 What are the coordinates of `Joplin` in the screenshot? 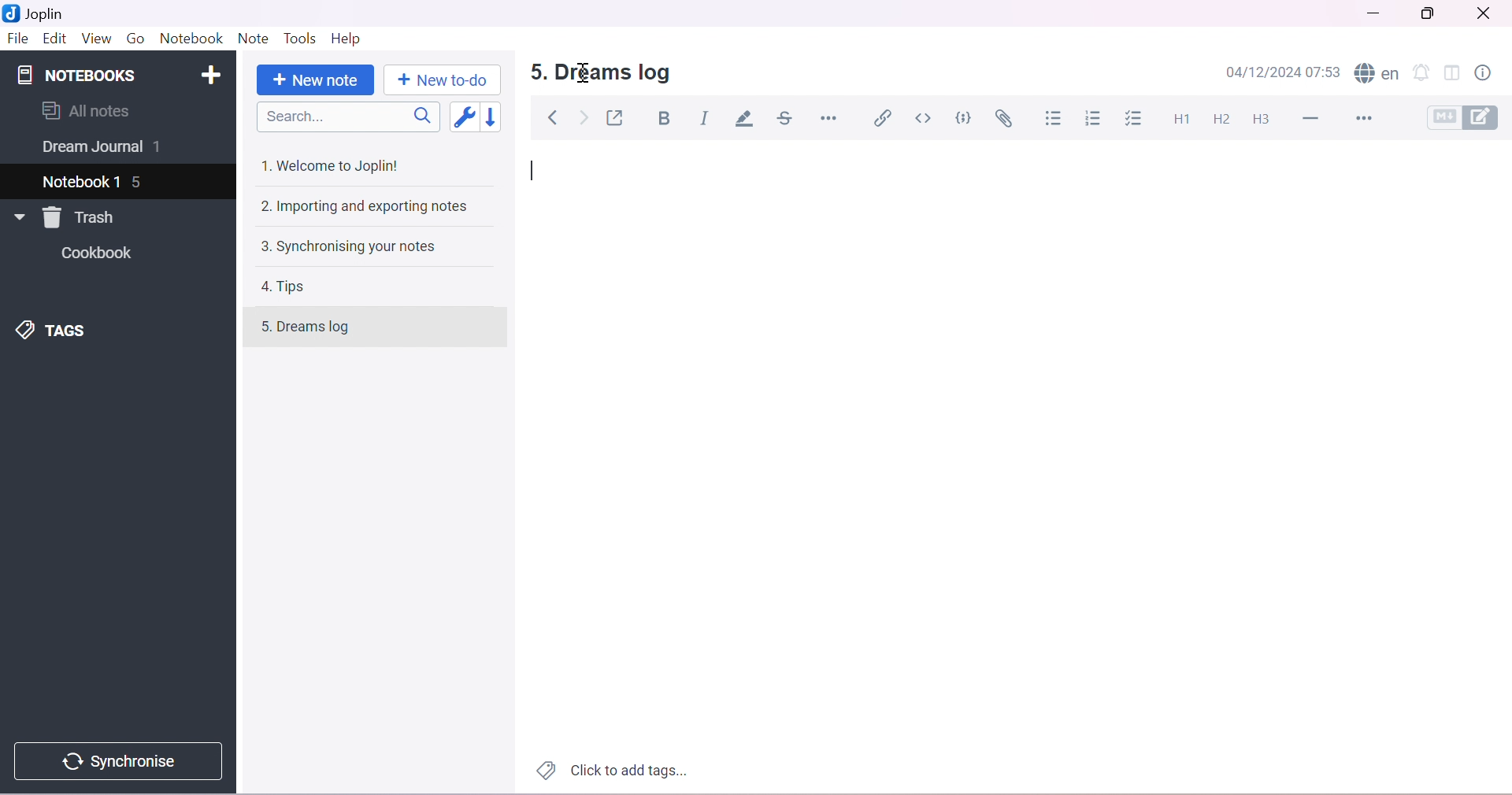 It's located at (39, 13).